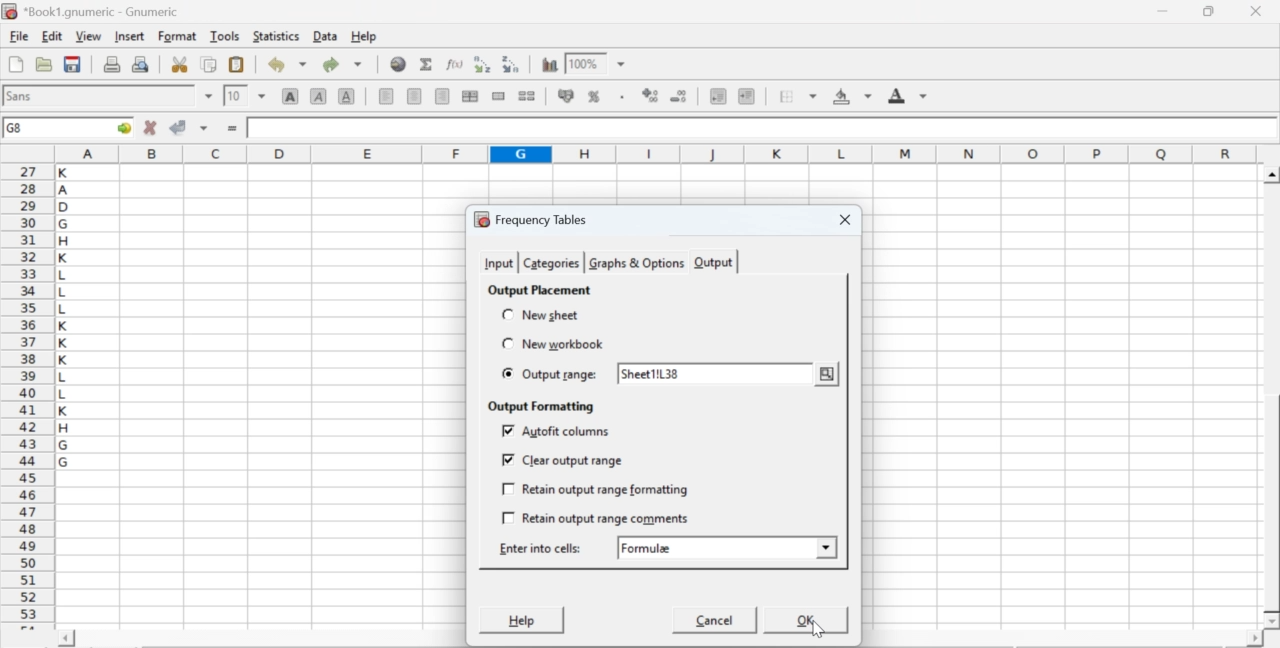 Image resolution: width=1280 pixels, height=648 pixels. What do you see at coordinates (807, 619) in the screenshot?
I see `OK` at bounding box center [807, 619].